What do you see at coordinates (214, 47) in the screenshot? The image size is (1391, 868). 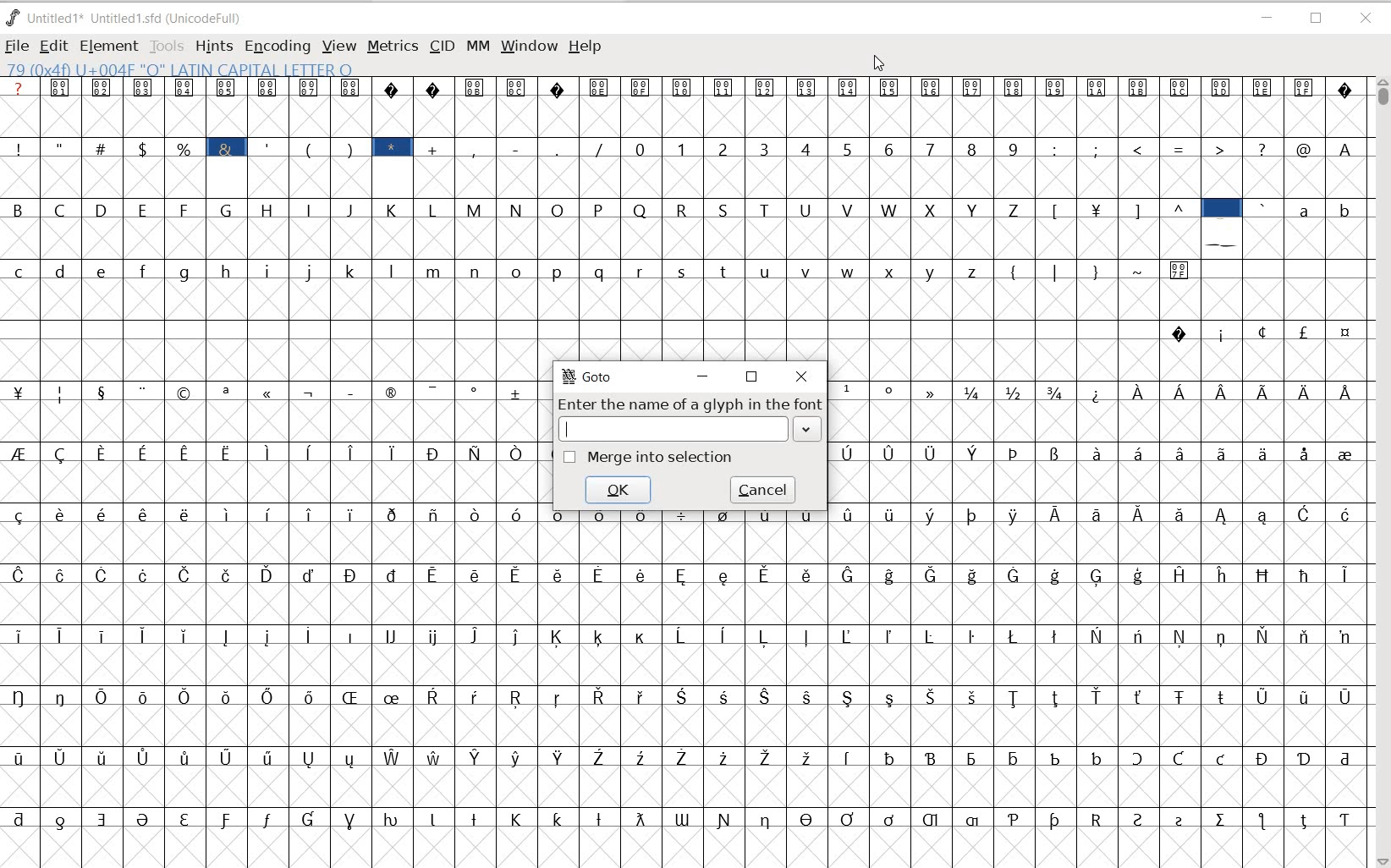 I see `HINTS` at bounding box center [214, 47].